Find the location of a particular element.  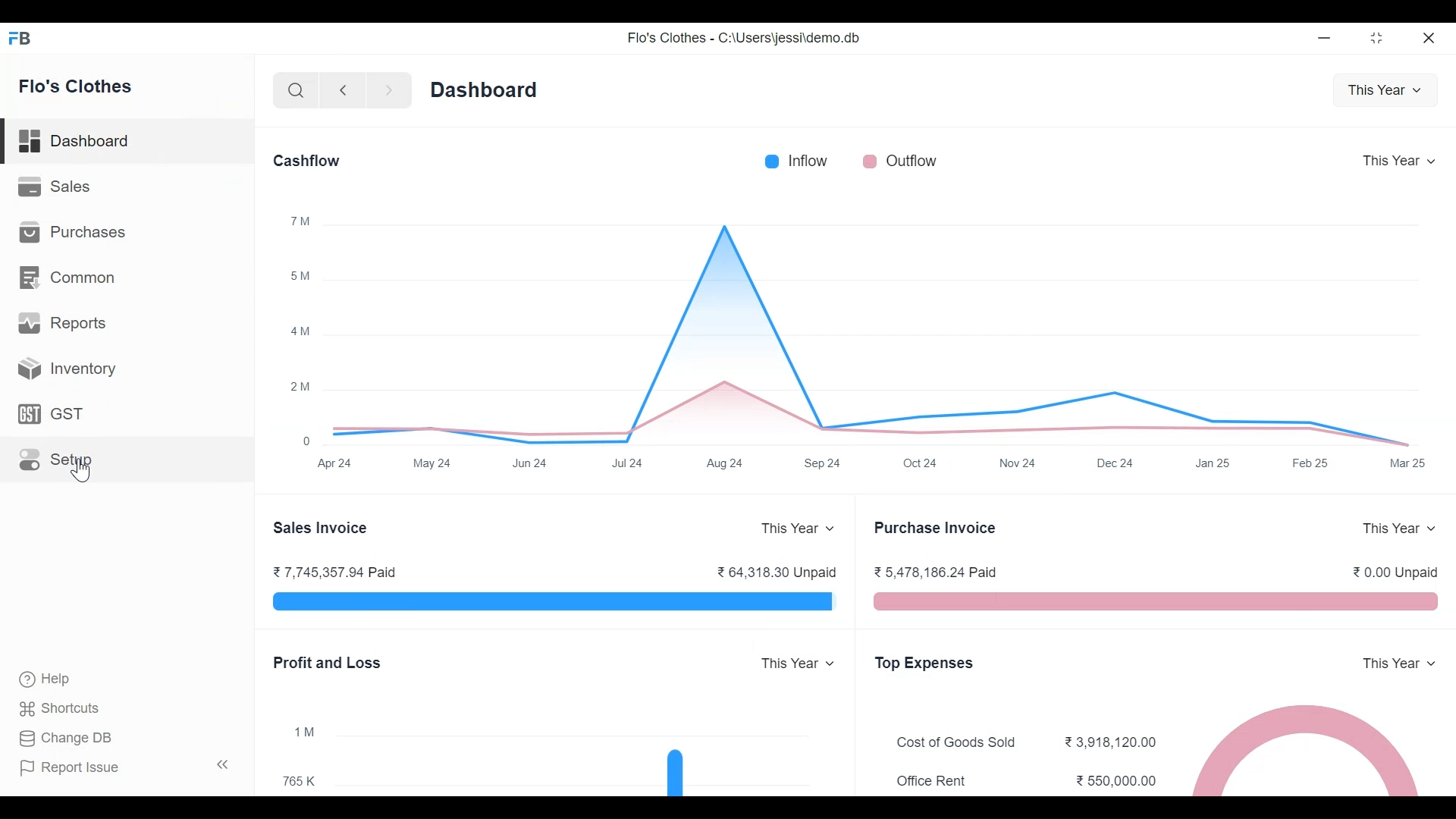

Dashboard is located at coordinates (81, 141).